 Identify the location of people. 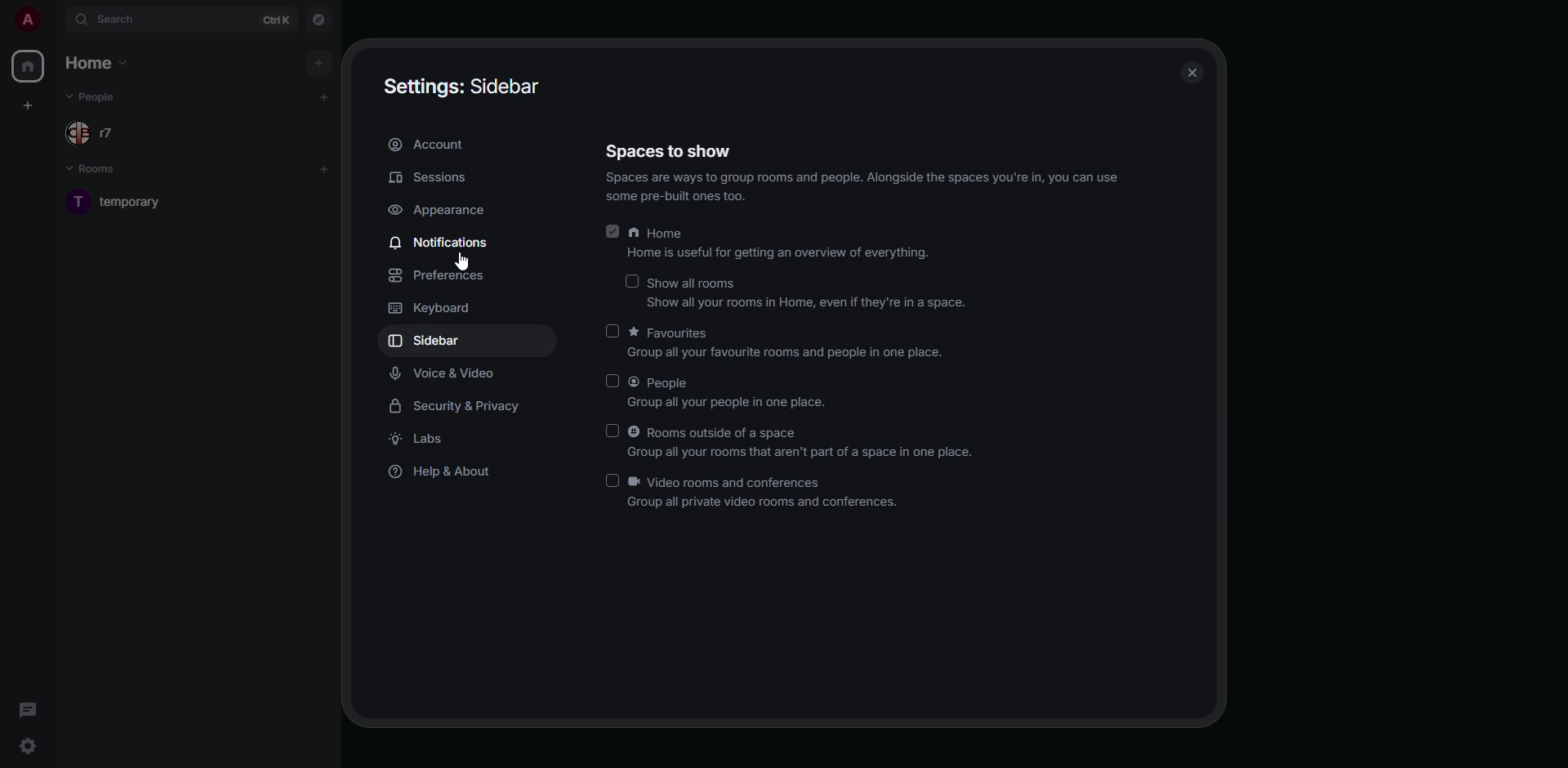
(99, 100).